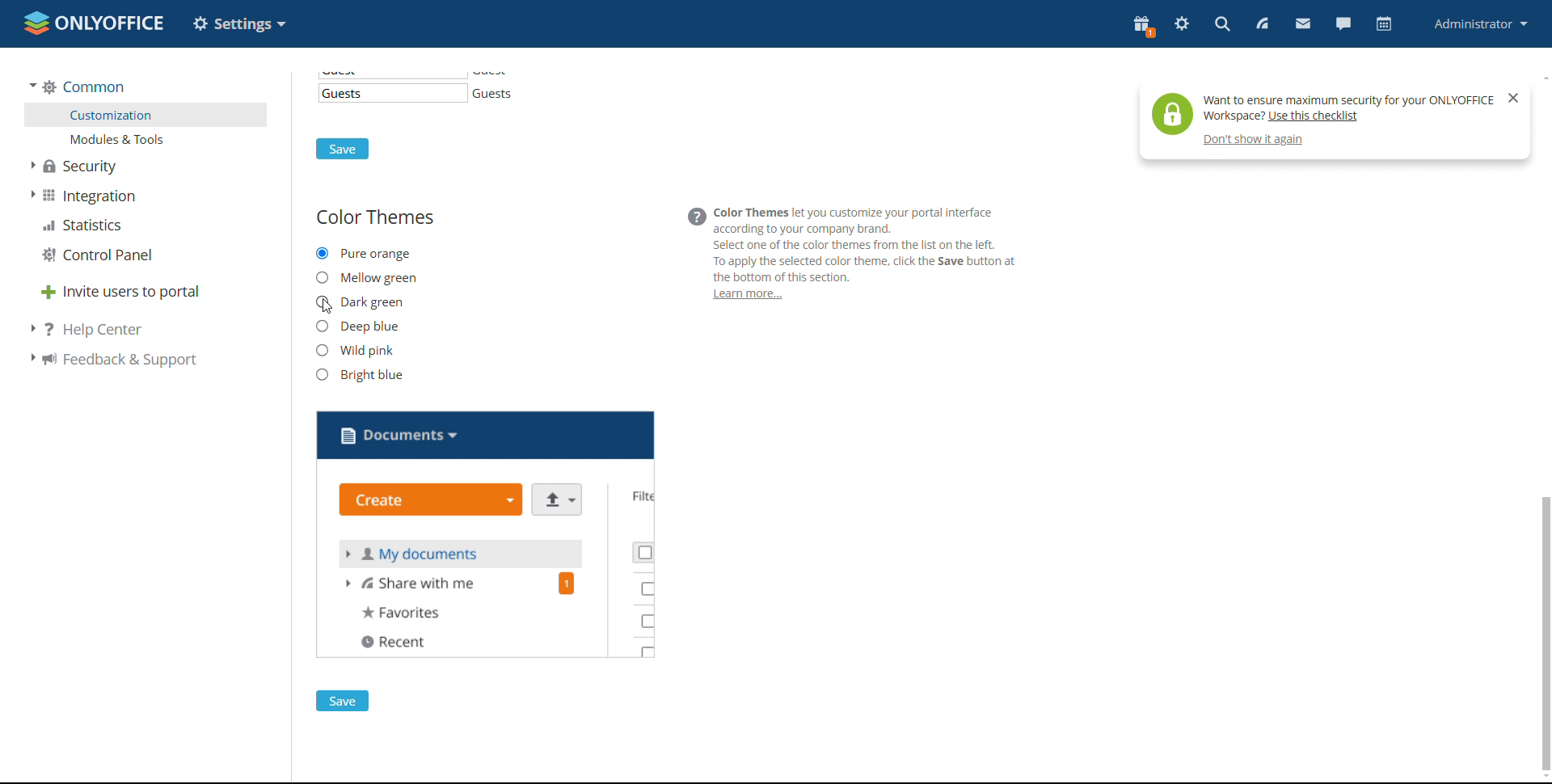  Describe the element at coordinates (77, 86) in the screenshot. I see `common` at that location.